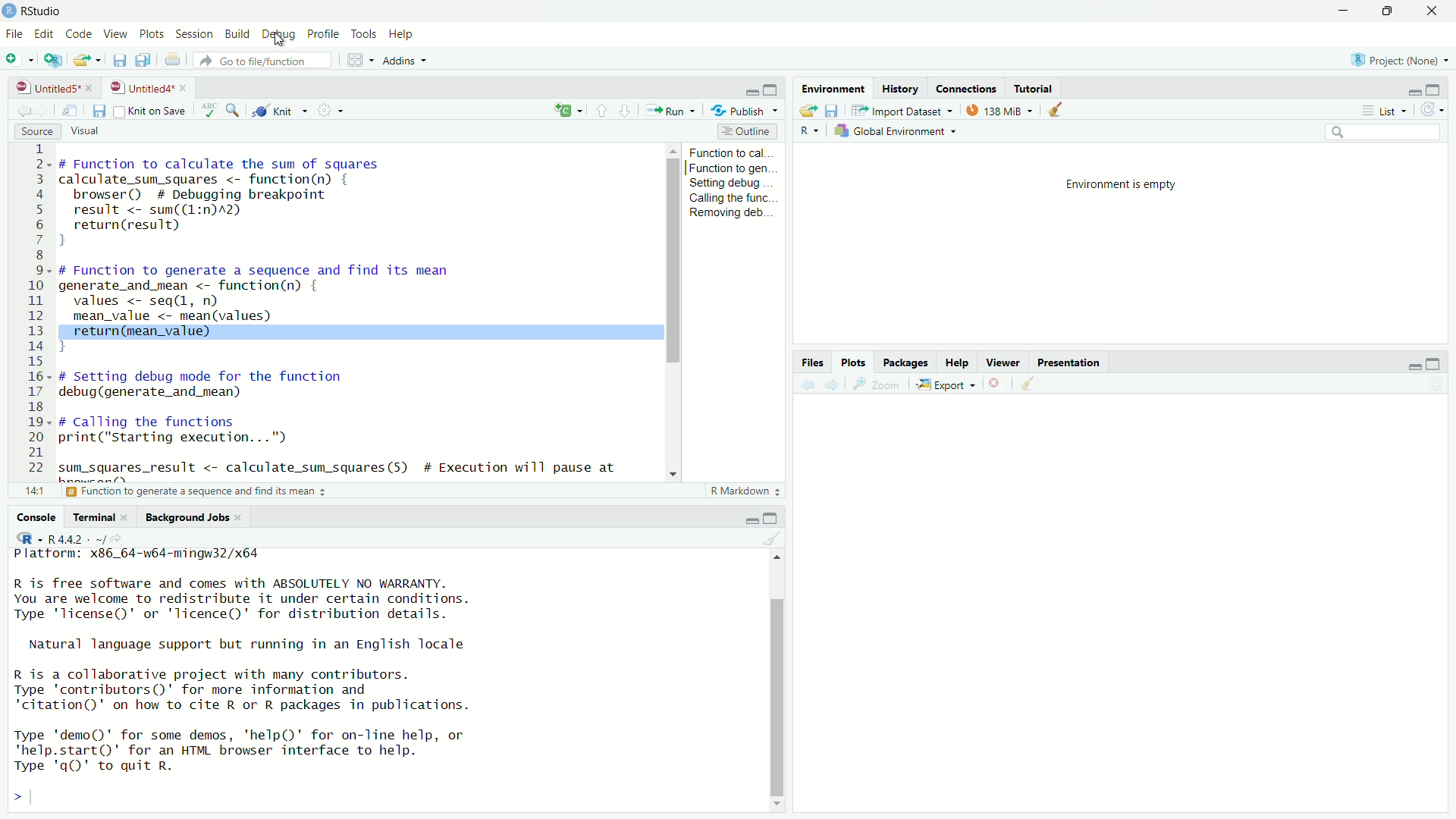 The height and width of the screenshot is (819, 1456). What do you see at coordinates (1407, 363) in the screenshot?
I see `minimize` at bounding box center [1407, 363].